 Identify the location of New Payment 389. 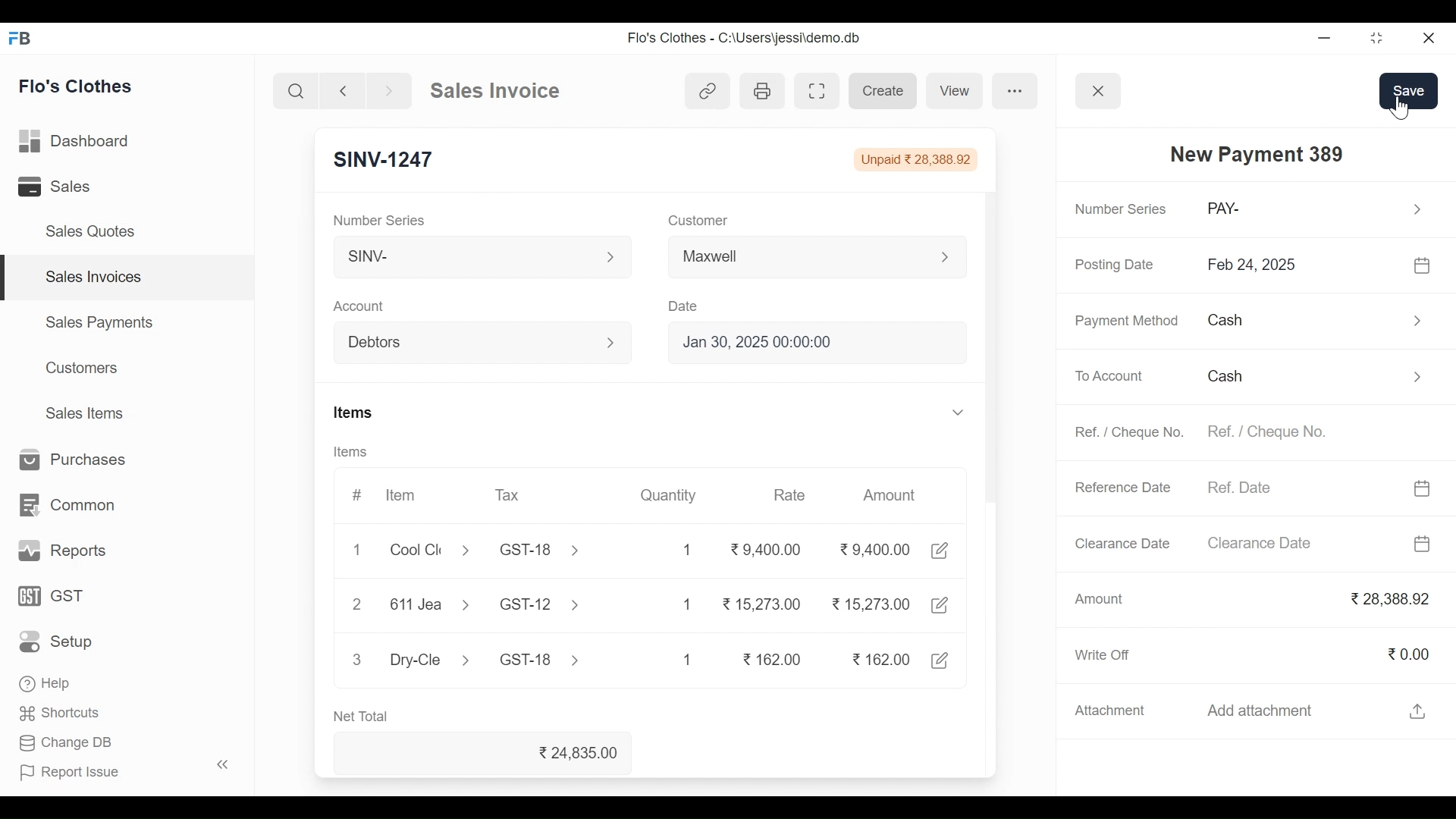
(1263, 155).